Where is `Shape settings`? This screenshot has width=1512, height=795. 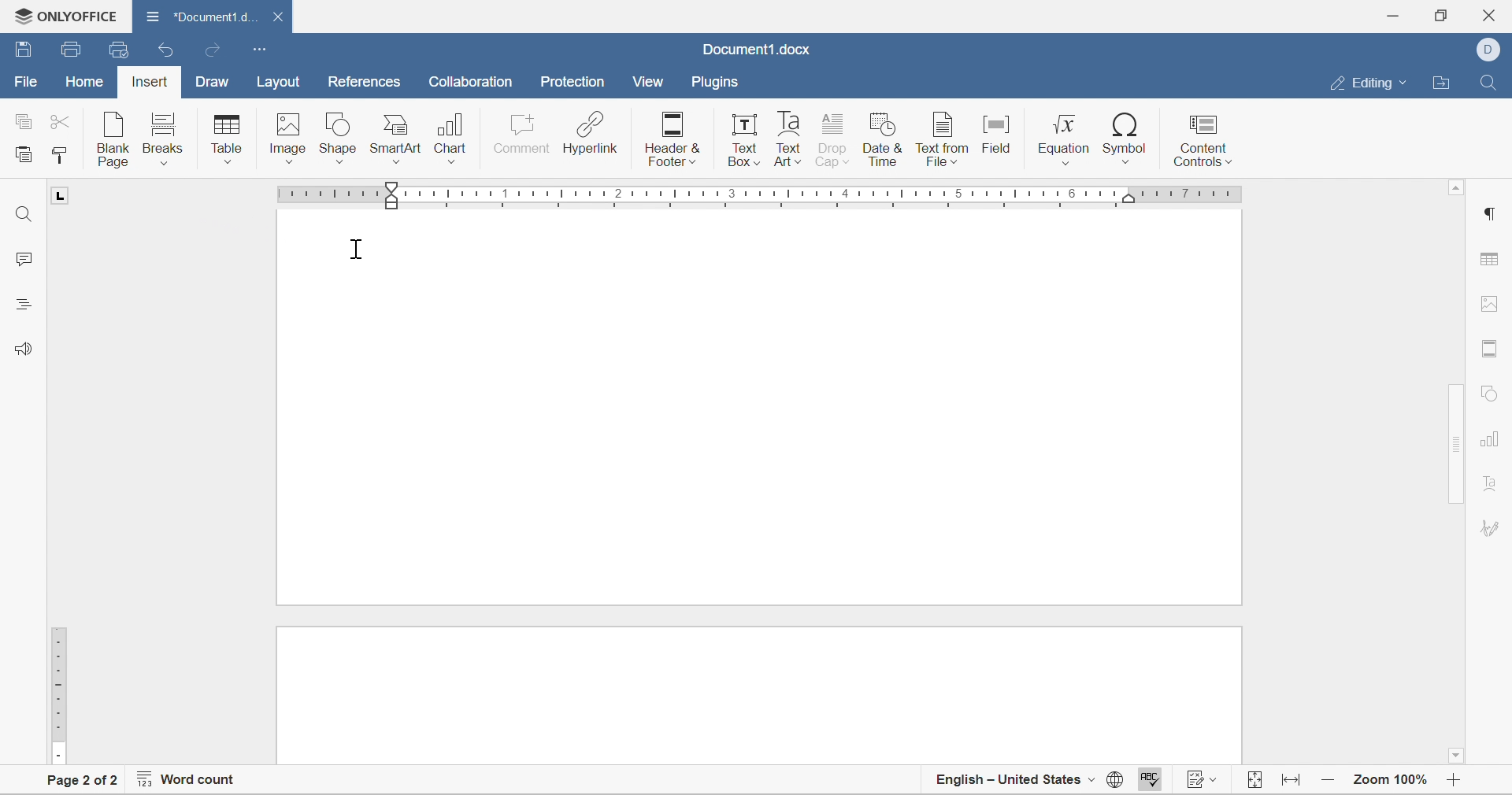
Shape settings is located at coordinates (1491, 393).